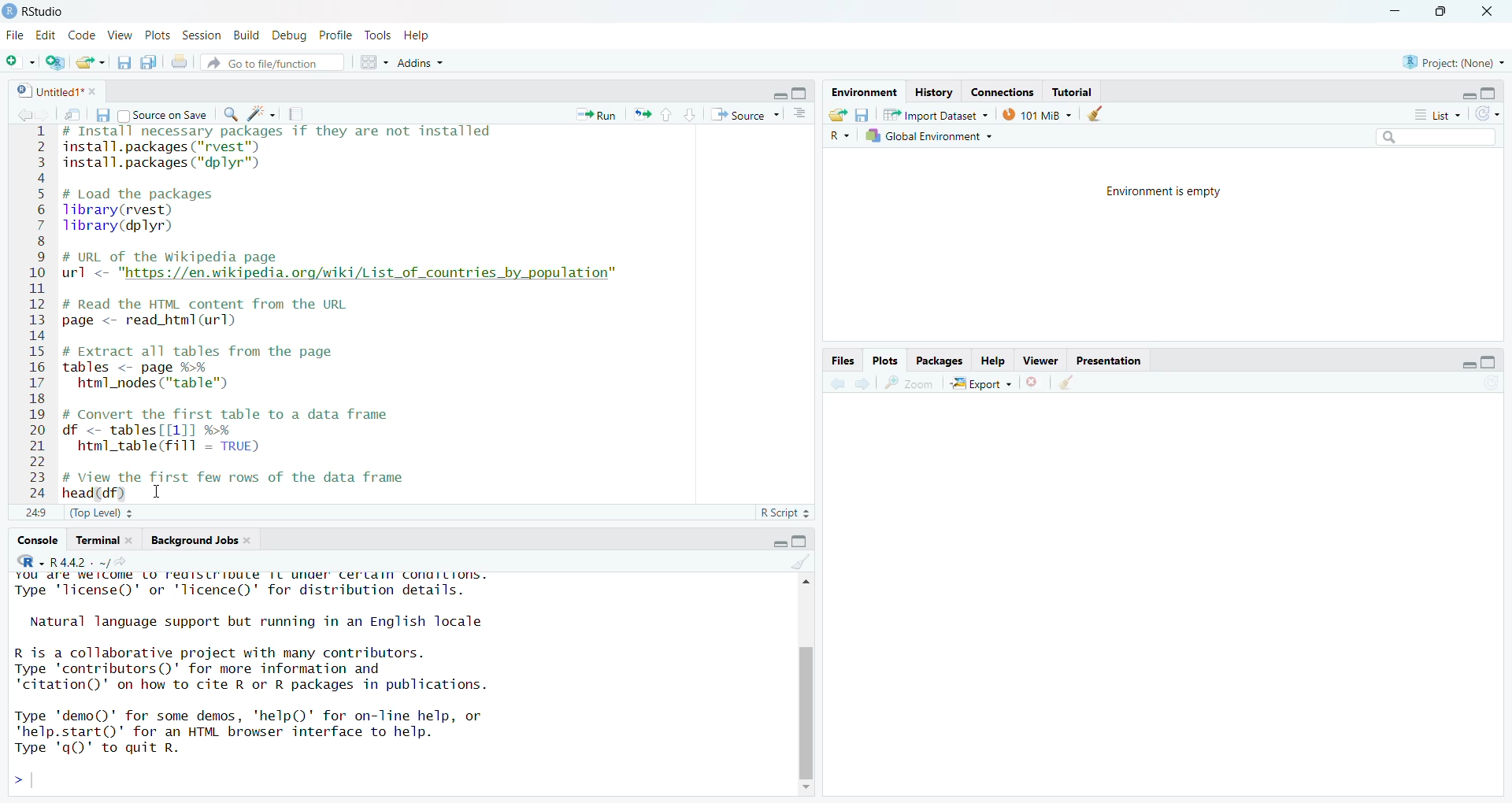  I want to click on close, so click(250, 540).